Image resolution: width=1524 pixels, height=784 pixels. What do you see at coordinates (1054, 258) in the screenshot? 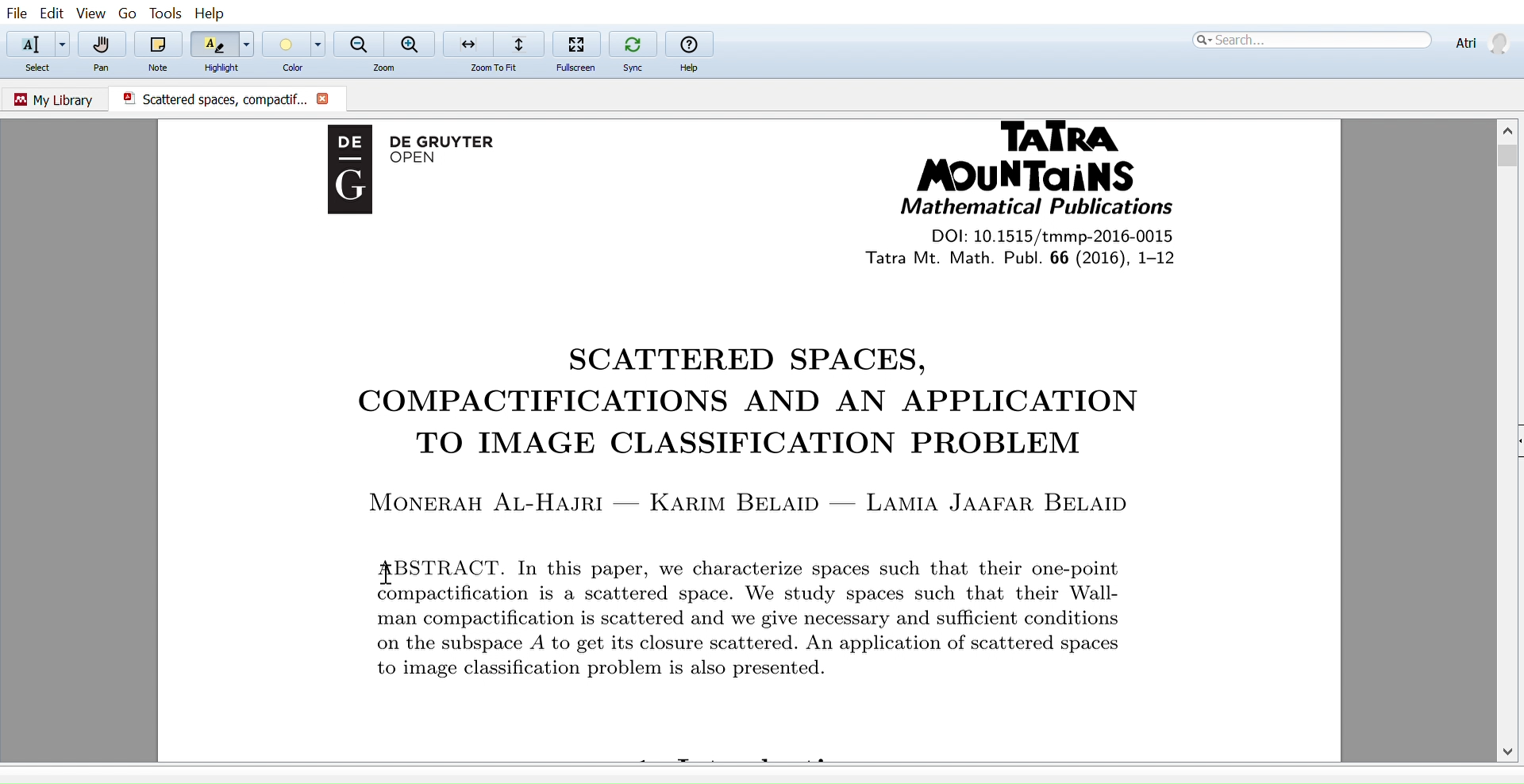
I see `tatra Mt. Math Publi. 66 (2016), 1-12 ` at bounding box center [1054, 258].